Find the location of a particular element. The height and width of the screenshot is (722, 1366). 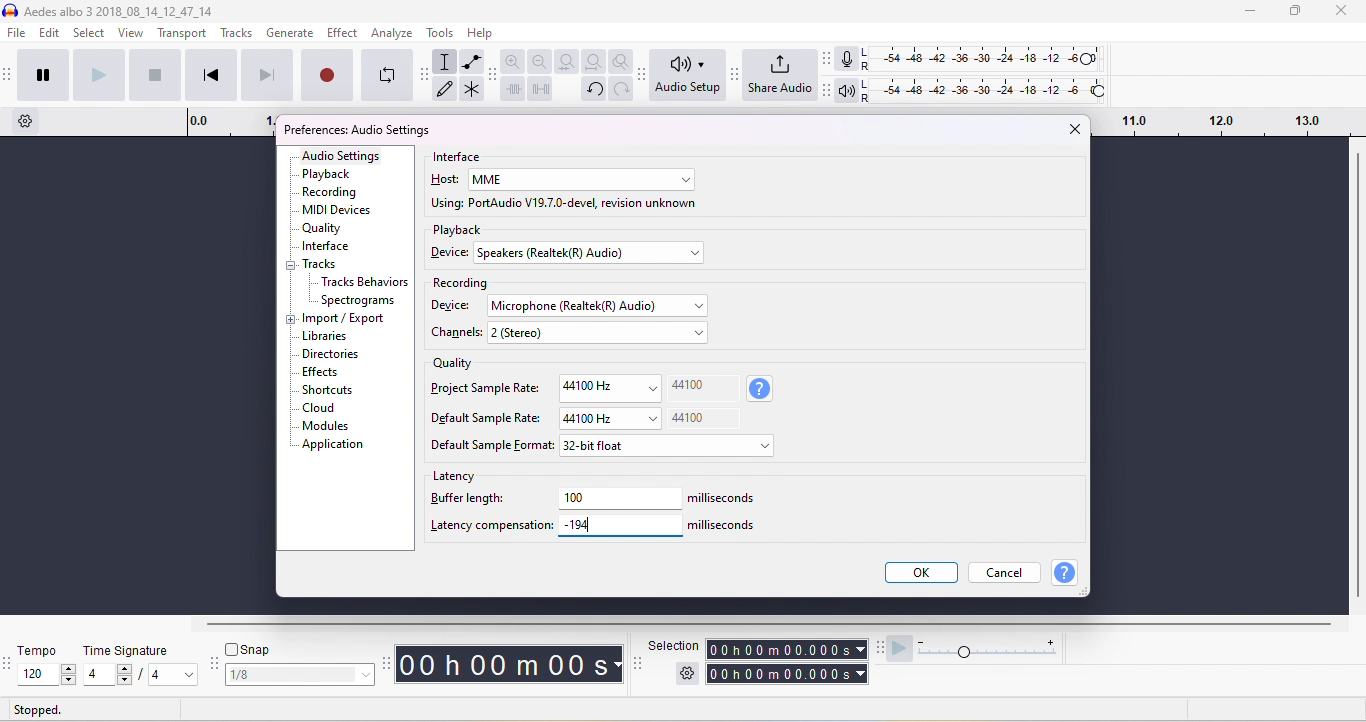

R is located at coordinates (869, 98).